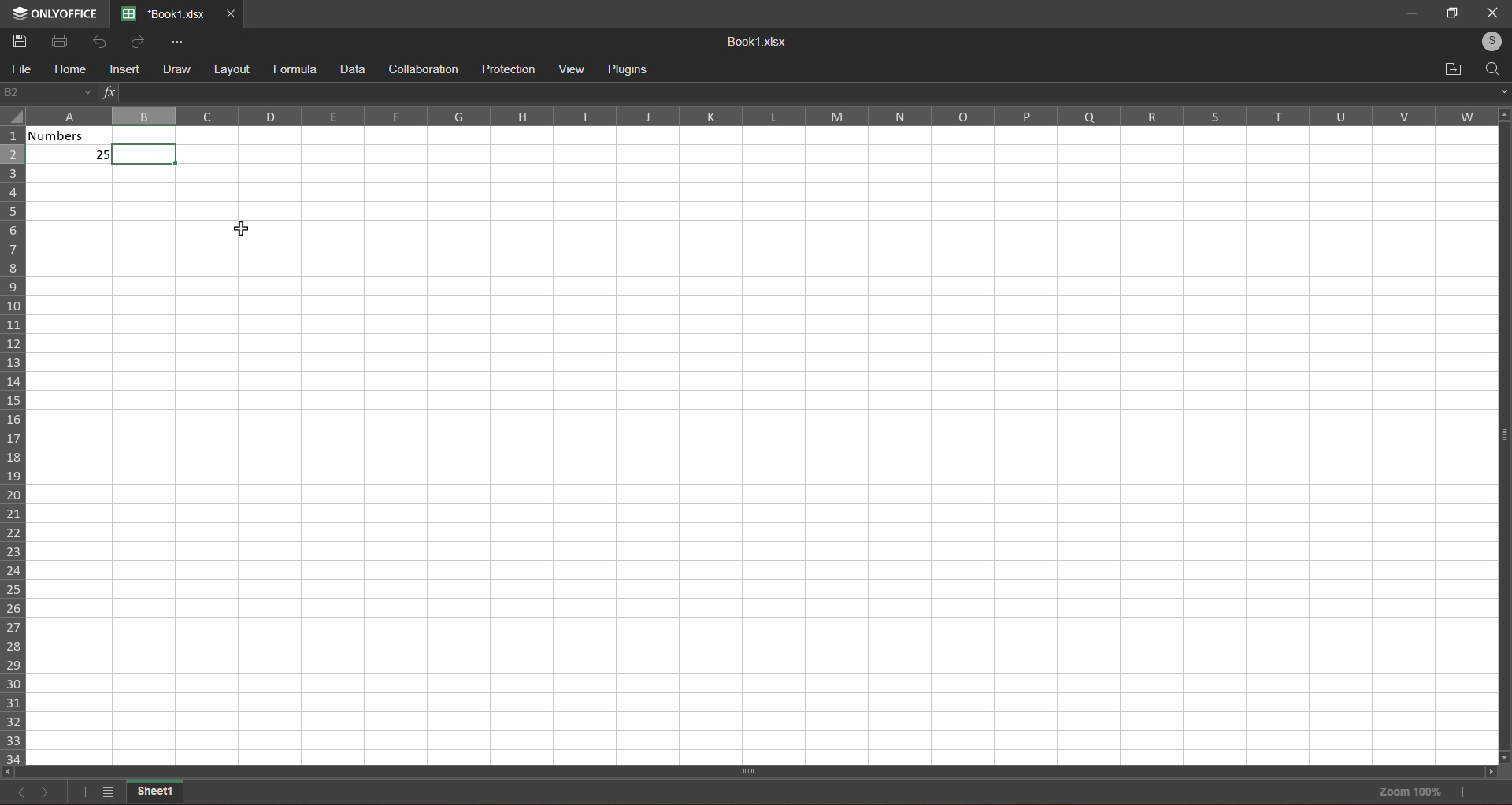 The image size is (1512, 805). Describe the element at coordinates (152, 154) in the screenshot. I see `cell select` at that location.